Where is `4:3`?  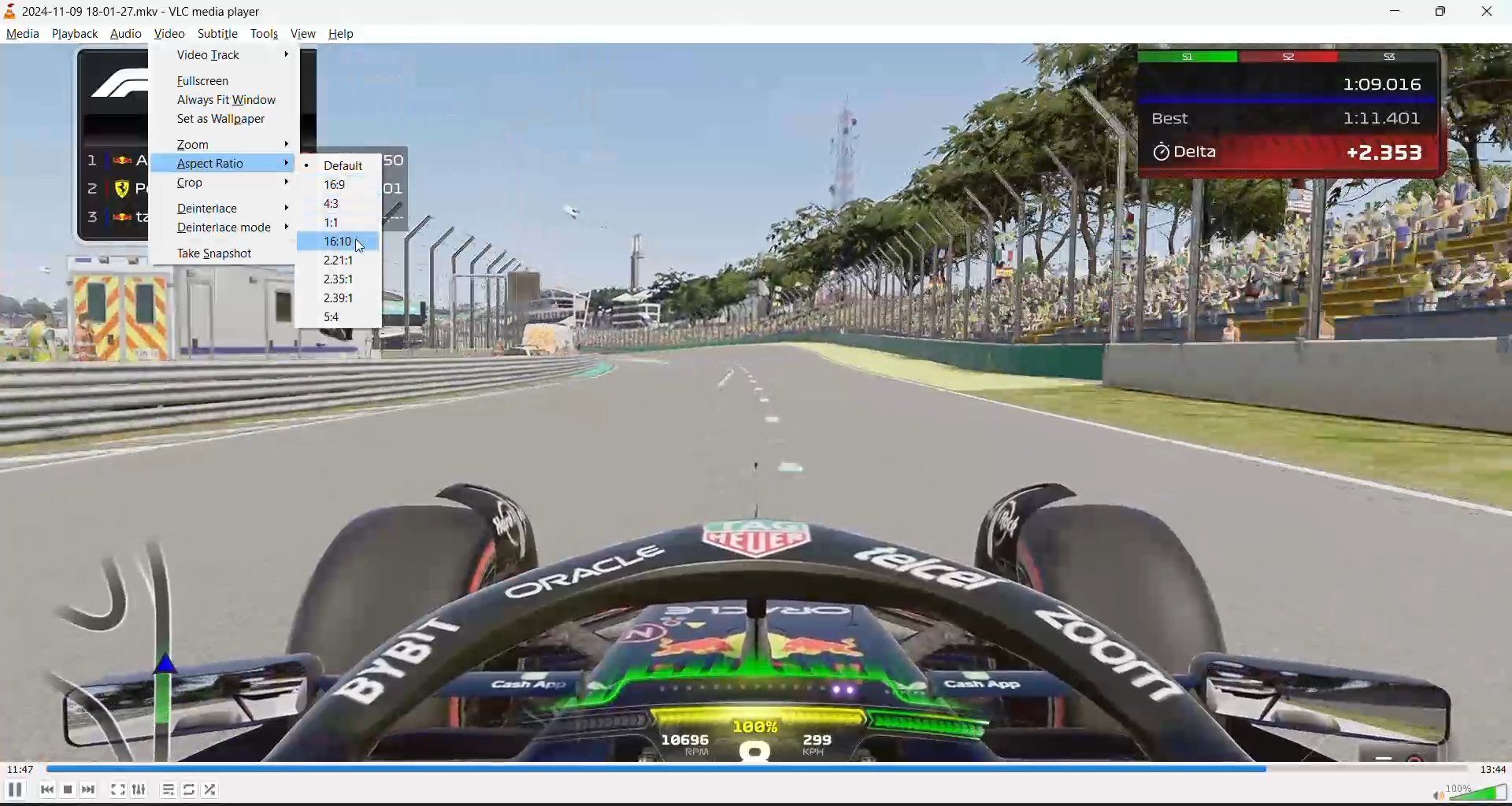
4:3 is located at coordinates (335, 204).